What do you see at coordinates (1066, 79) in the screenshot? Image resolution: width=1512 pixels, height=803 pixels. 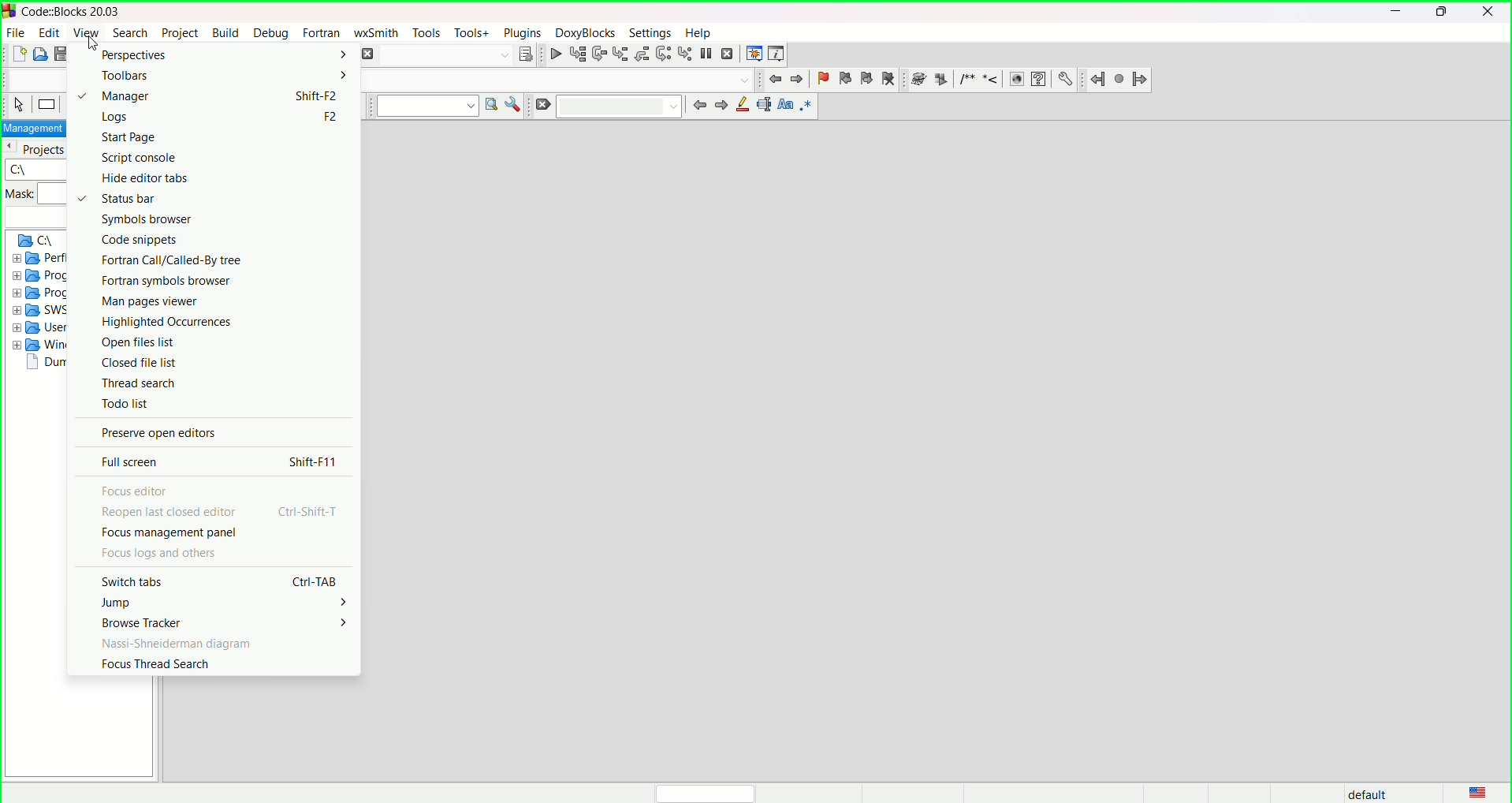 I see `Preferences` at bounding box center [1066, 79].